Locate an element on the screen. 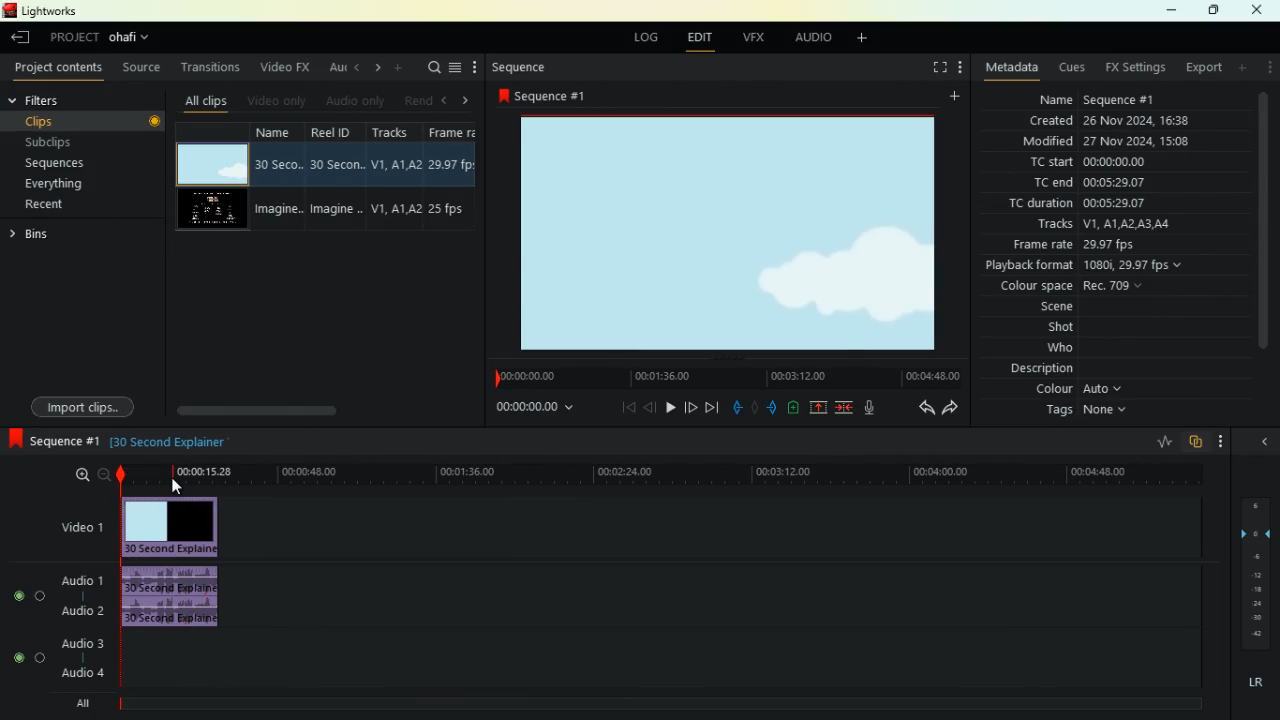 This screenshot has height=720, width=1280. audio 2 is located at coordinates (76, 611).